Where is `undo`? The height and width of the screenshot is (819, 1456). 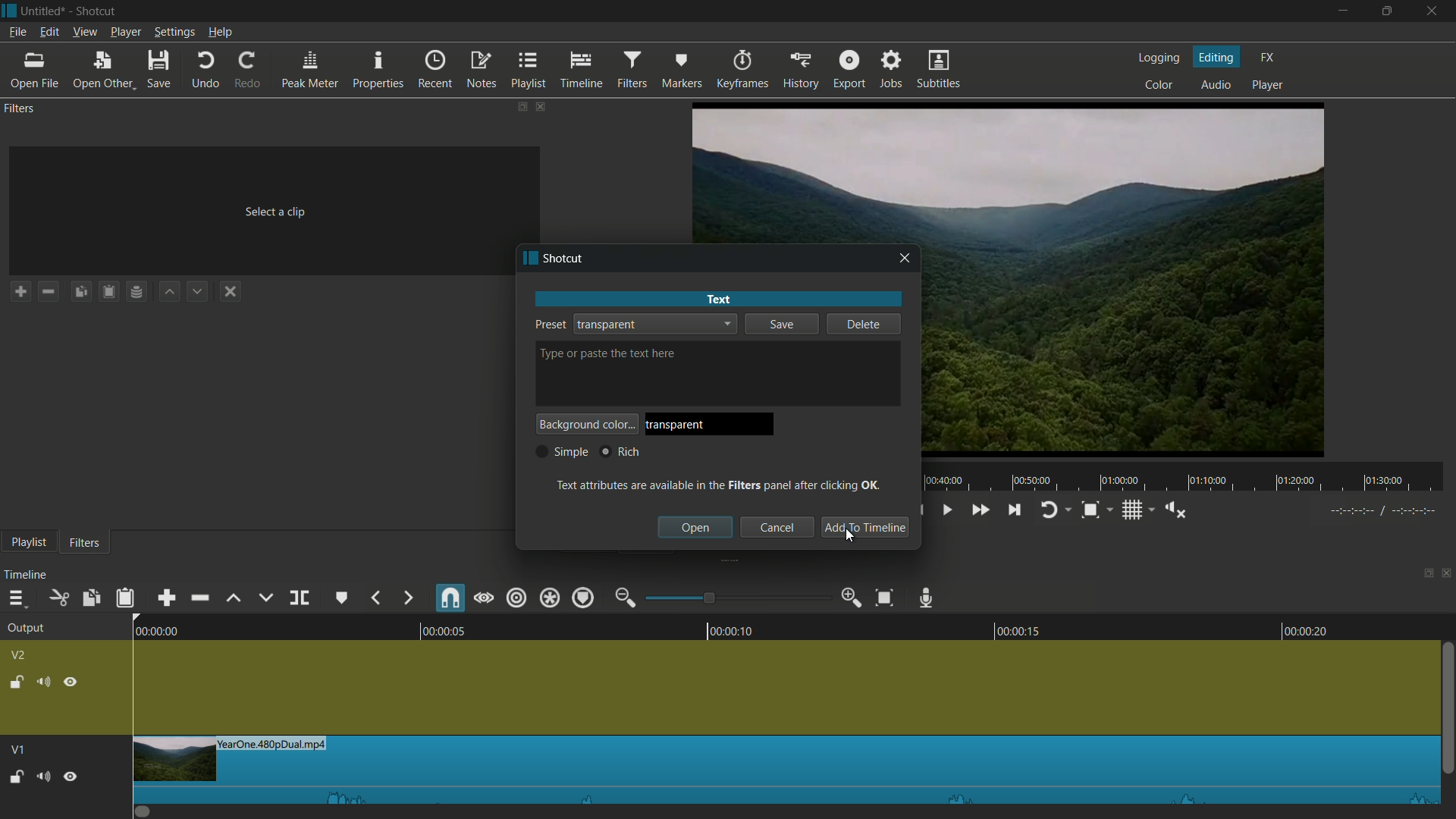 undo is located at coordinates (206, 71).